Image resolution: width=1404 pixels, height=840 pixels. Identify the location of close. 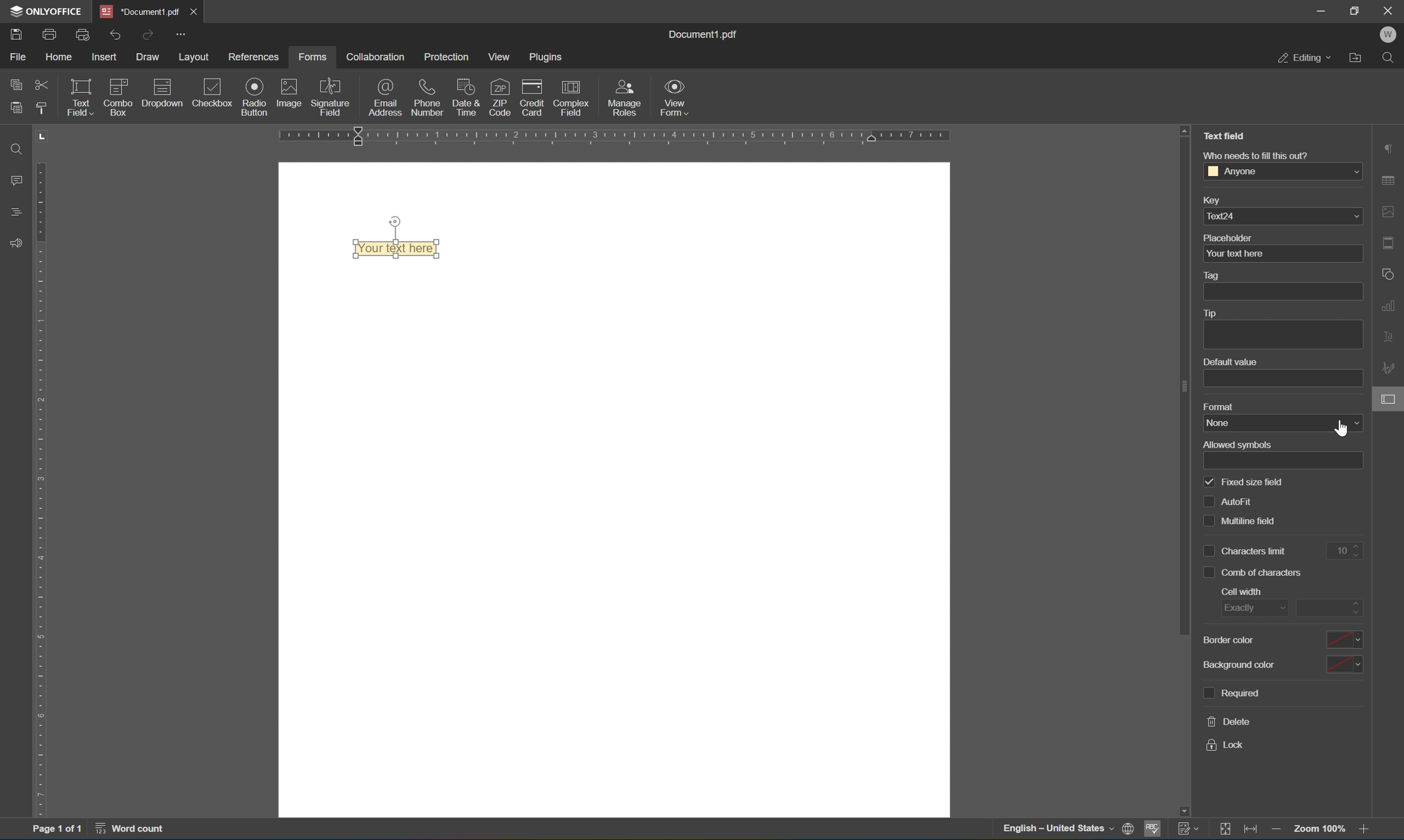
(192, 11).